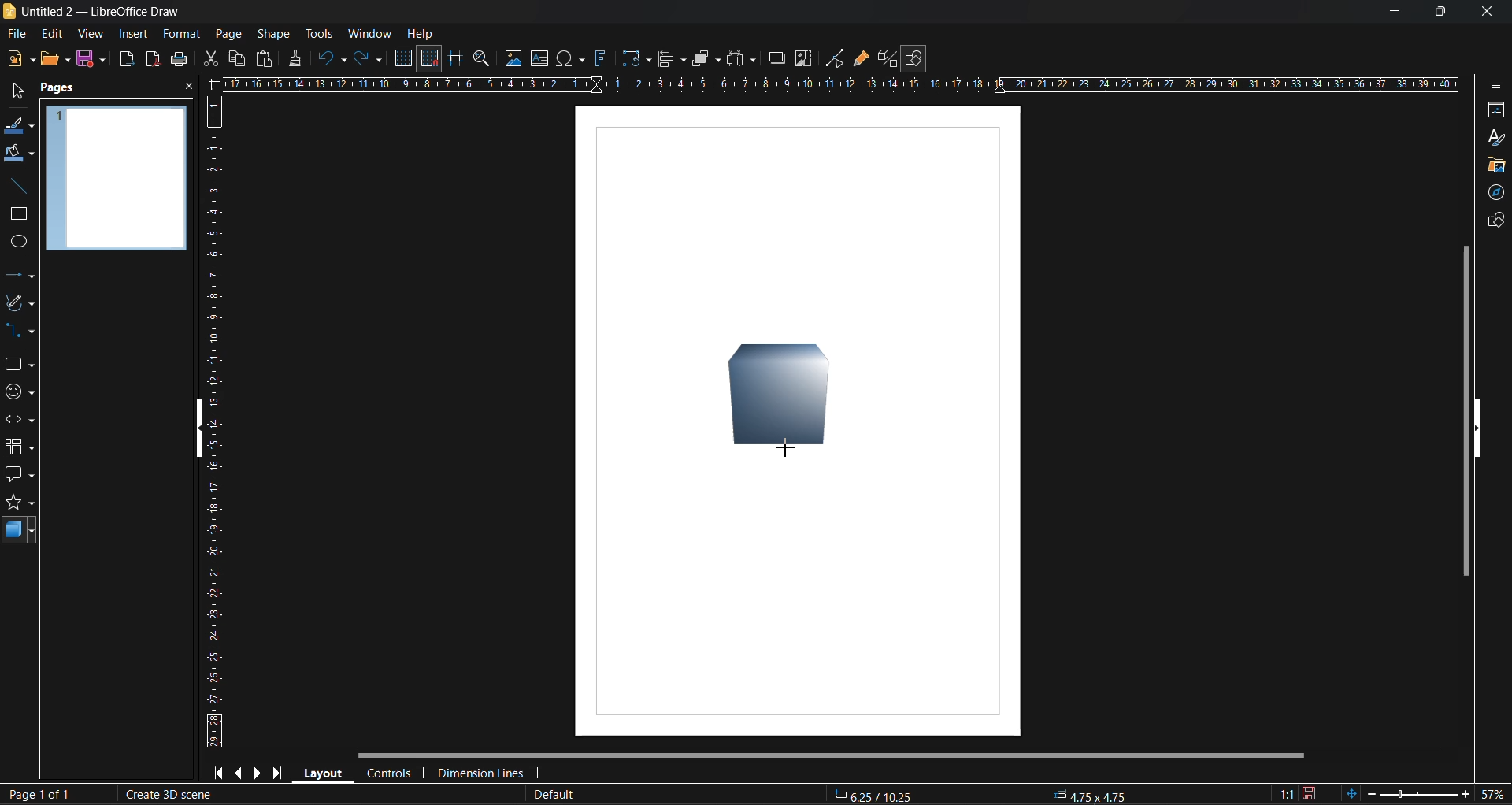 The height and width of the screenshot is (805, 1512). Describe the element at coordinates (165, 796) in the screenshot. I see `create 3d scene` at that location.